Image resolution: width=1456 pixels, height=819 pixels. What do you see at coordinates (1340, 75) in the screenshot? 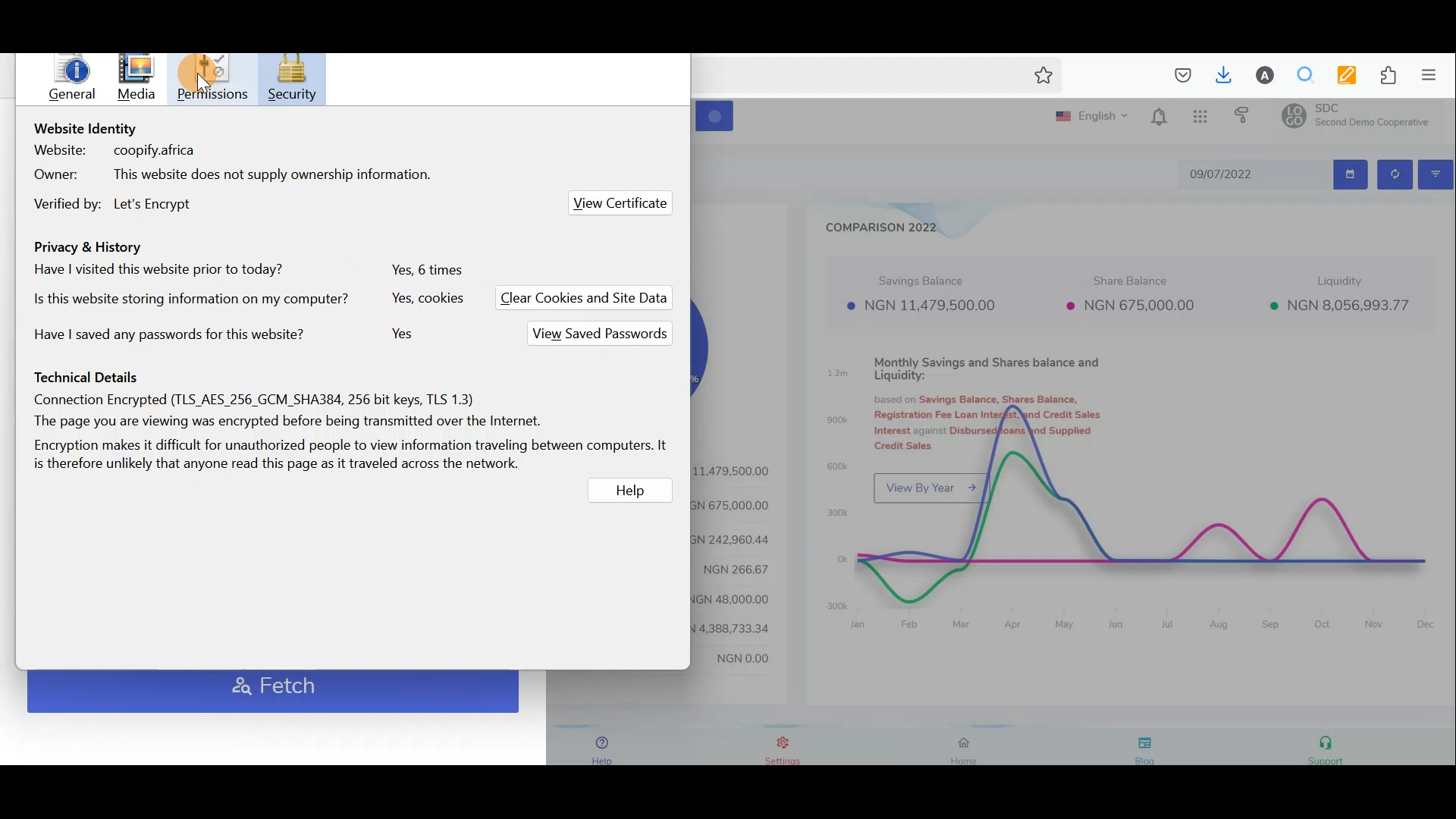
I see `Multi keywords highlighter` at bounding box center [1340, 75].